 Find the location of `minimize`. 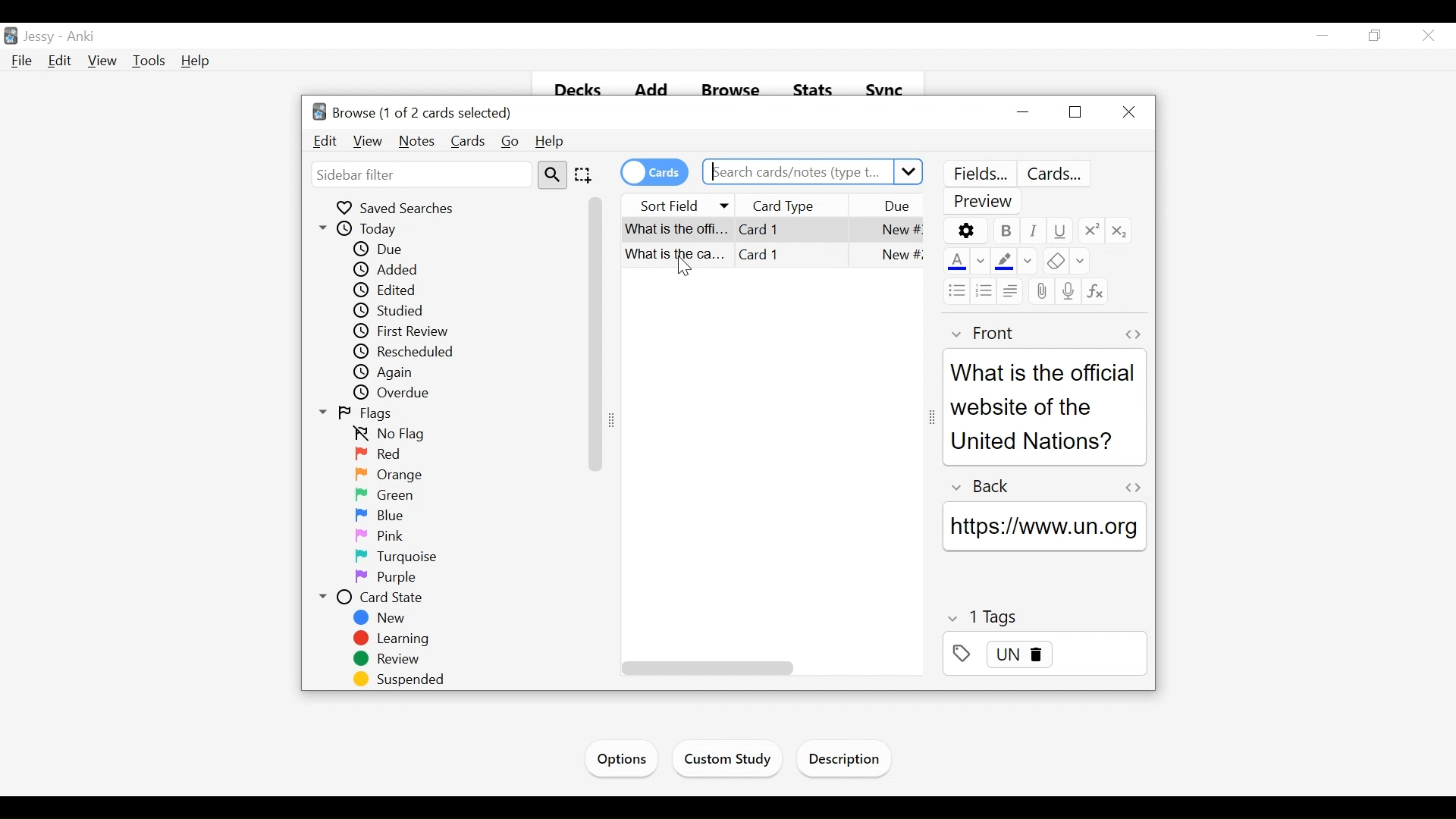

minimize is located at coordinates (1022, 112).